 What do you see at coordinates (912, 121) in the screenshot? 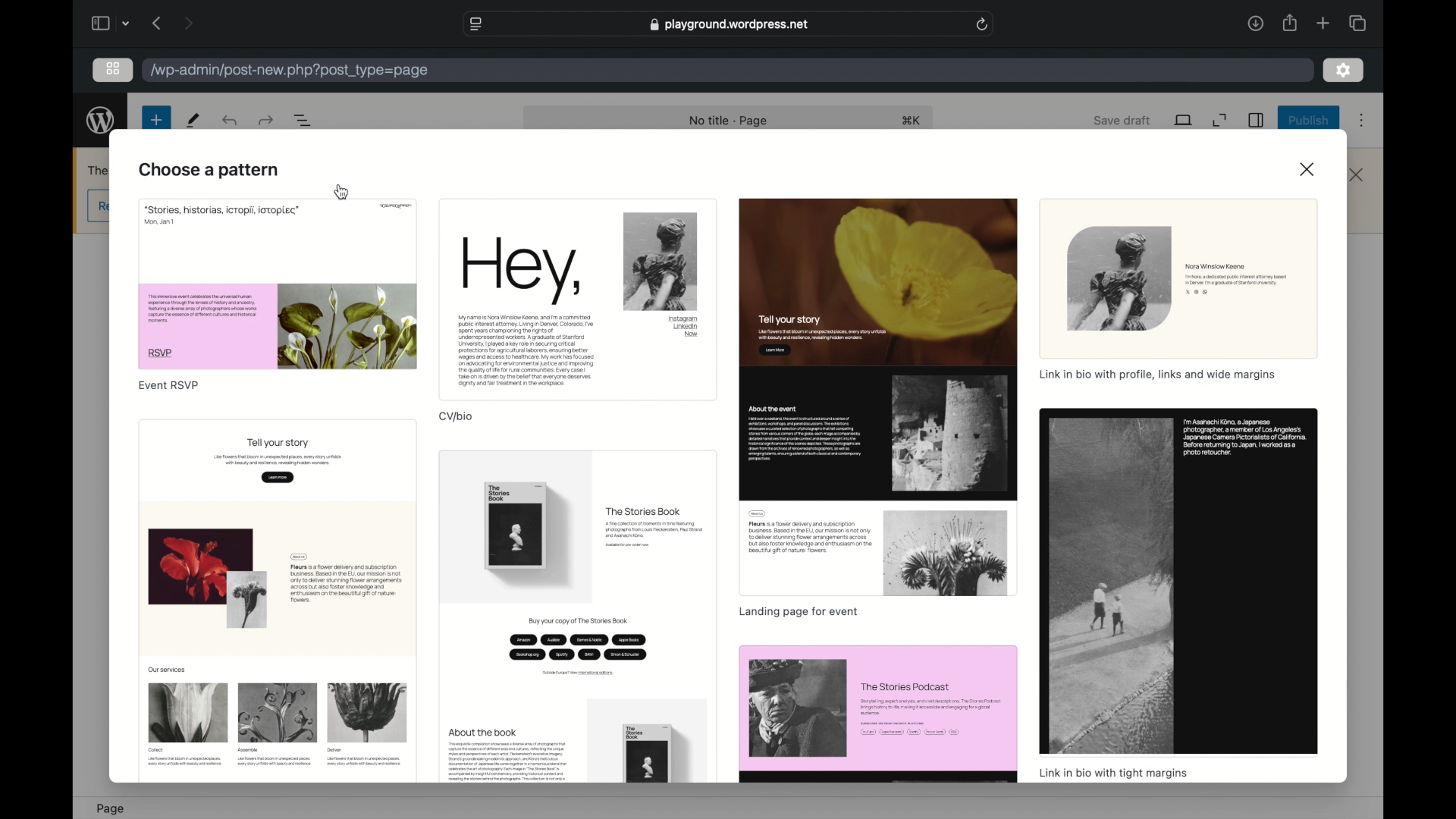
I see `shortcut` at bounding box center [912, 121].